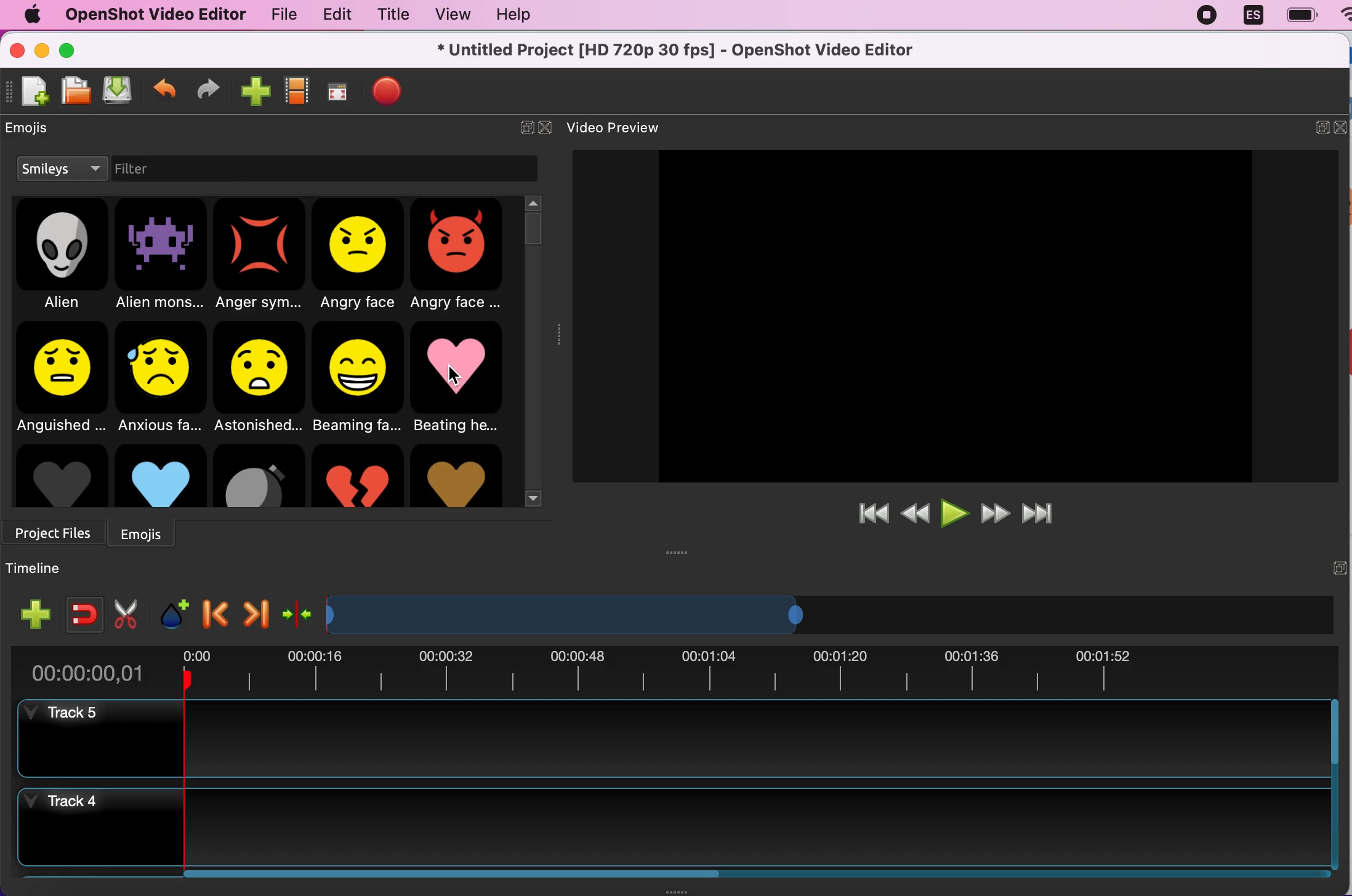 The width and height of the screenshot is (1352, 896). What do you see at coordinates (60, 476) in the screenshot?
I see `Grey heart` at bounding box center [60, 476].